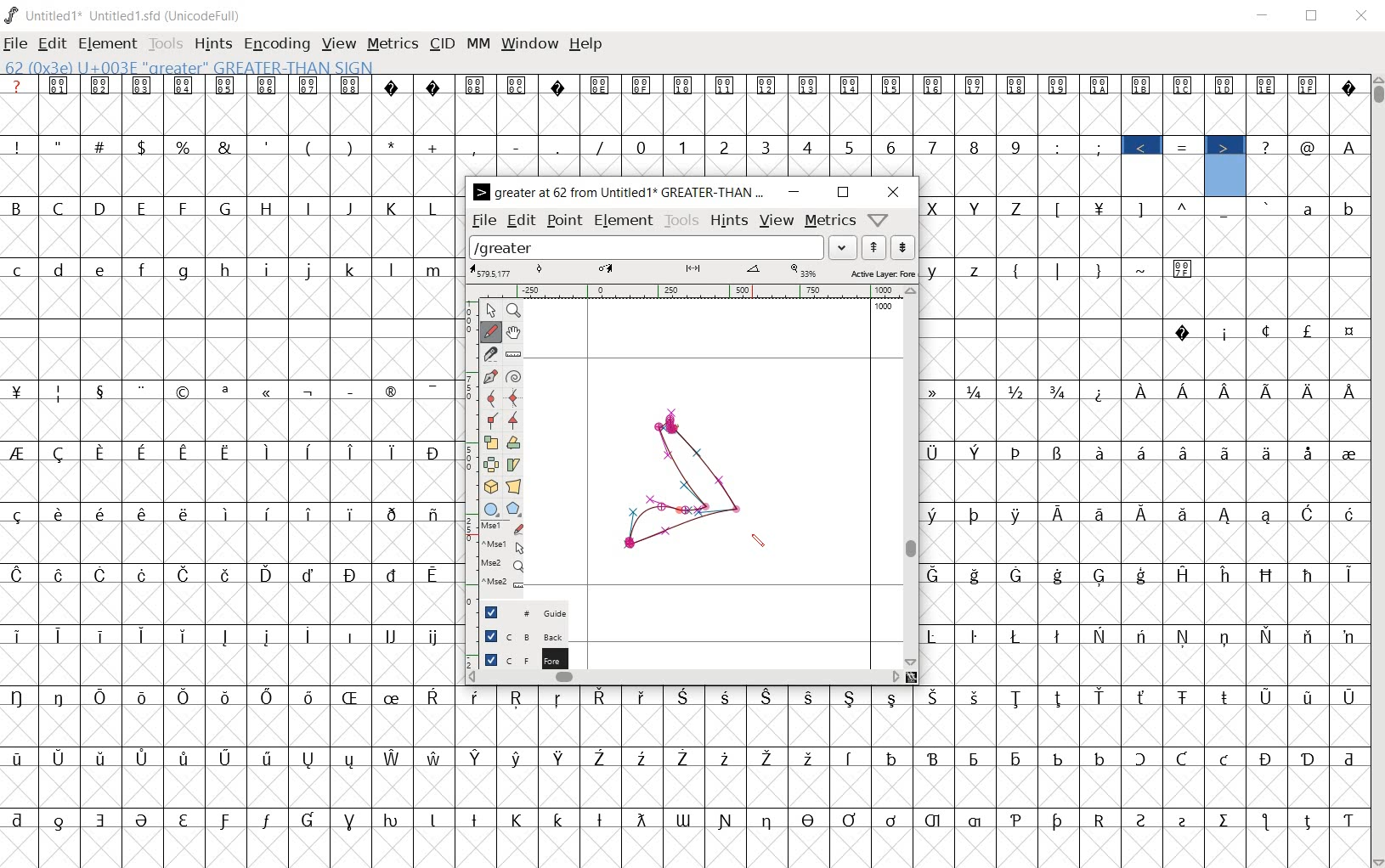 Image resolution: width=1385 pixels, height=868 pixels. I want to click on tools, so click(682, 222).